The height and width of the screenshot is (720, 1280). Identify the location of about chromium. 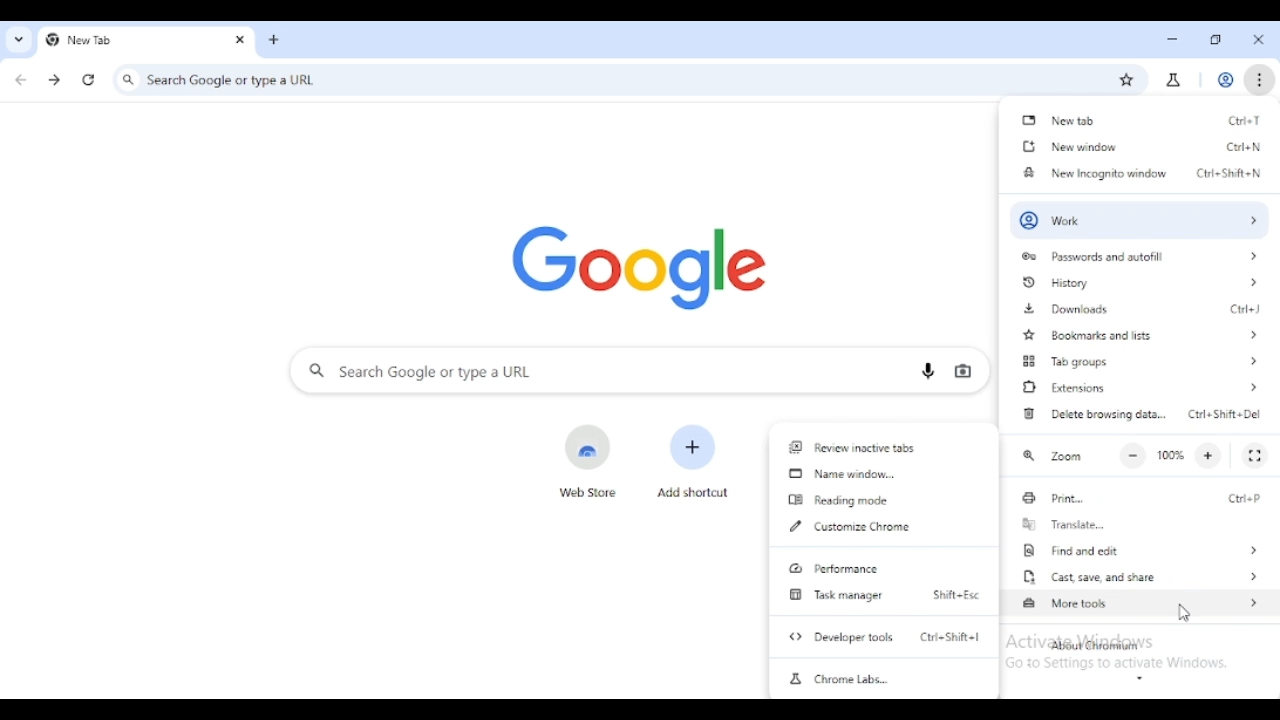
(1096, 644).